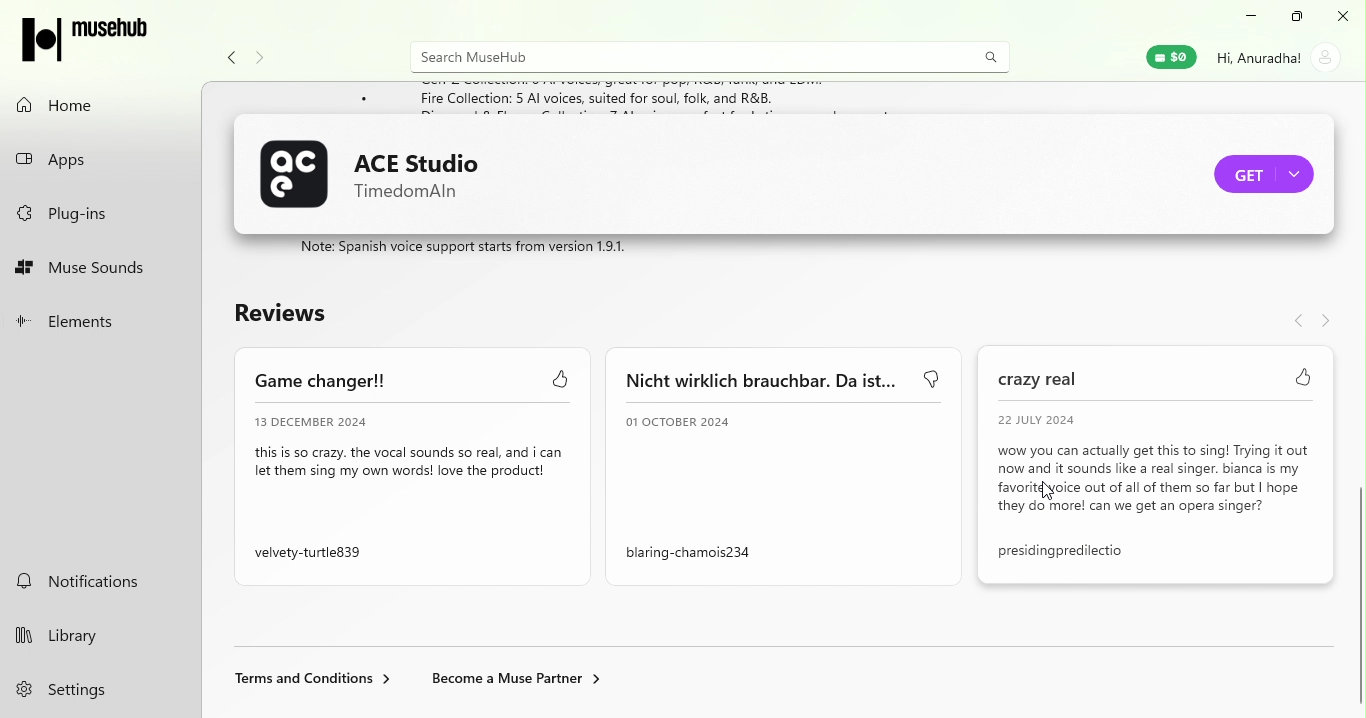 This screenshot has height=718, width=1366. What do you see at coordinates (1249, 19) in the screenshot?
I see `minimize` at bounding box center [1249, 19].